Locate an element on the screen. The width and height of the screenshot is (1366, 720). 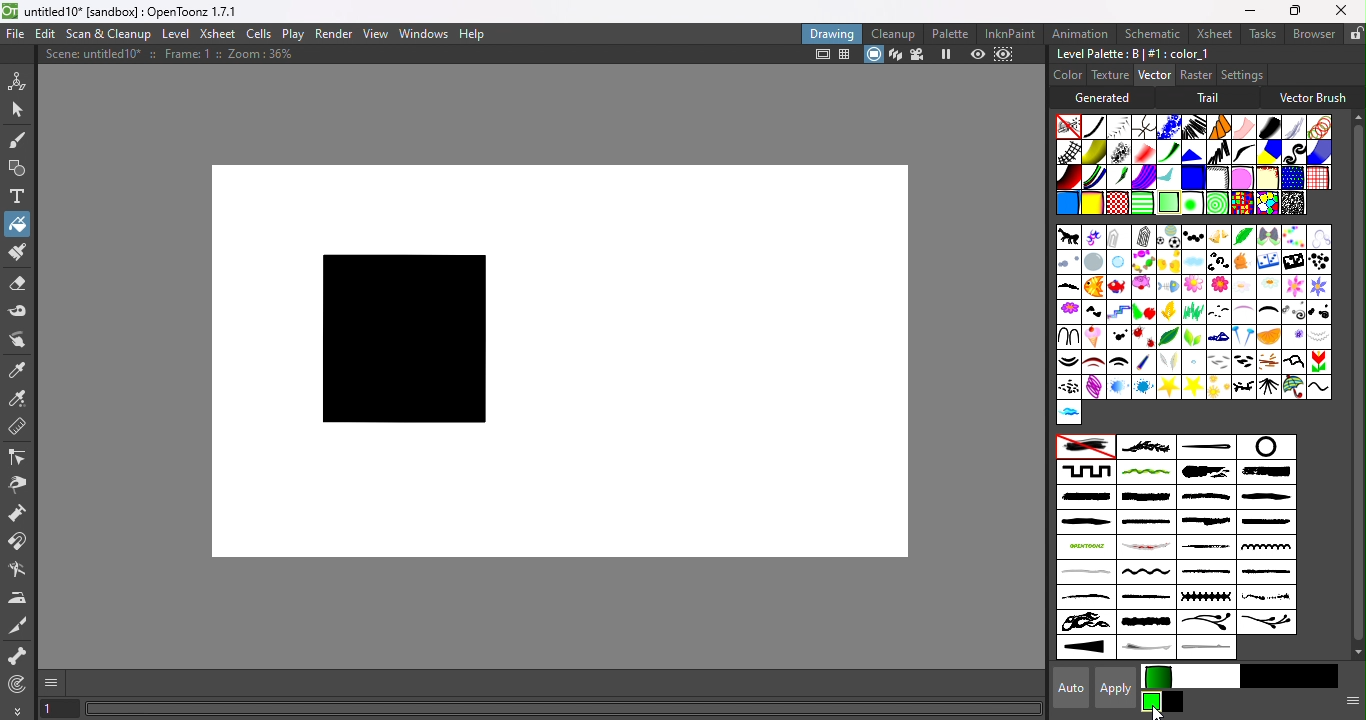
InknPaint is located at coordinates (1014, 33).